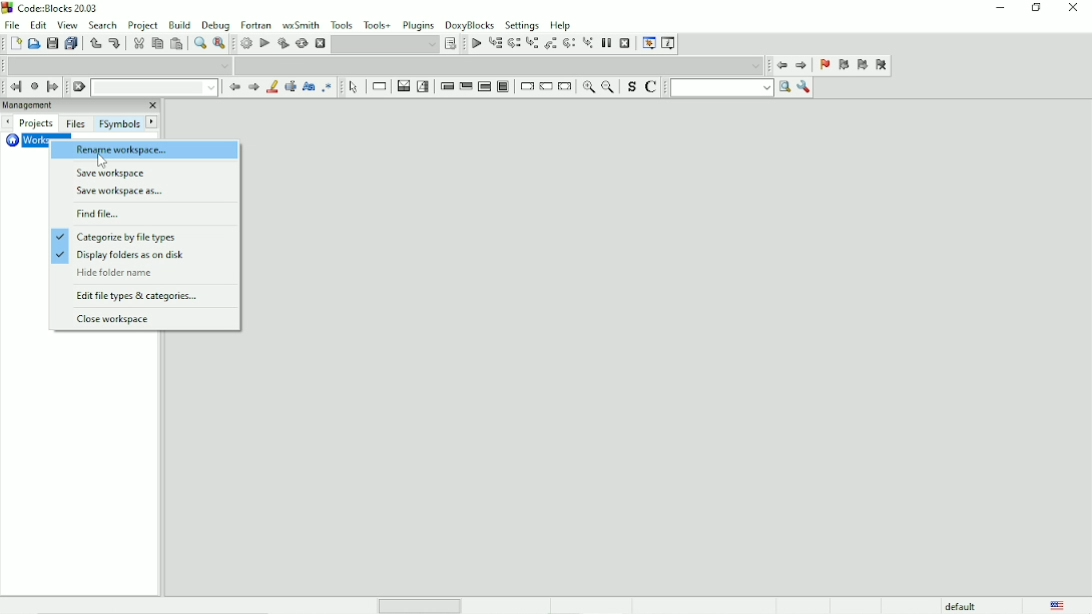 The height and width of the screenshot is (614, 1092). Describe the element at coordinates (631, 88) in the screenshot. I see `Toggle source` at that location.